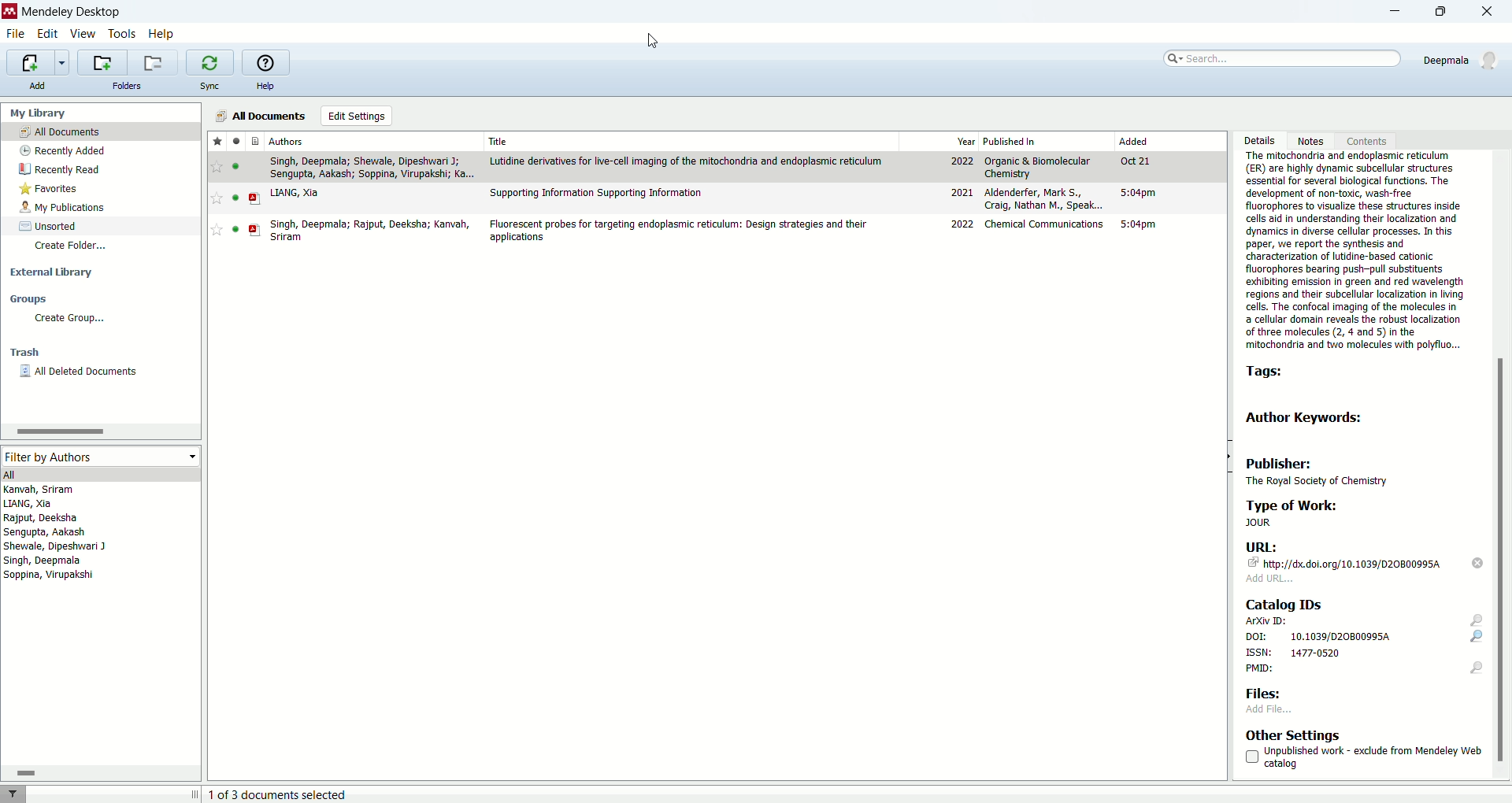  I want to click on Files: add file, so click(1273, 700).